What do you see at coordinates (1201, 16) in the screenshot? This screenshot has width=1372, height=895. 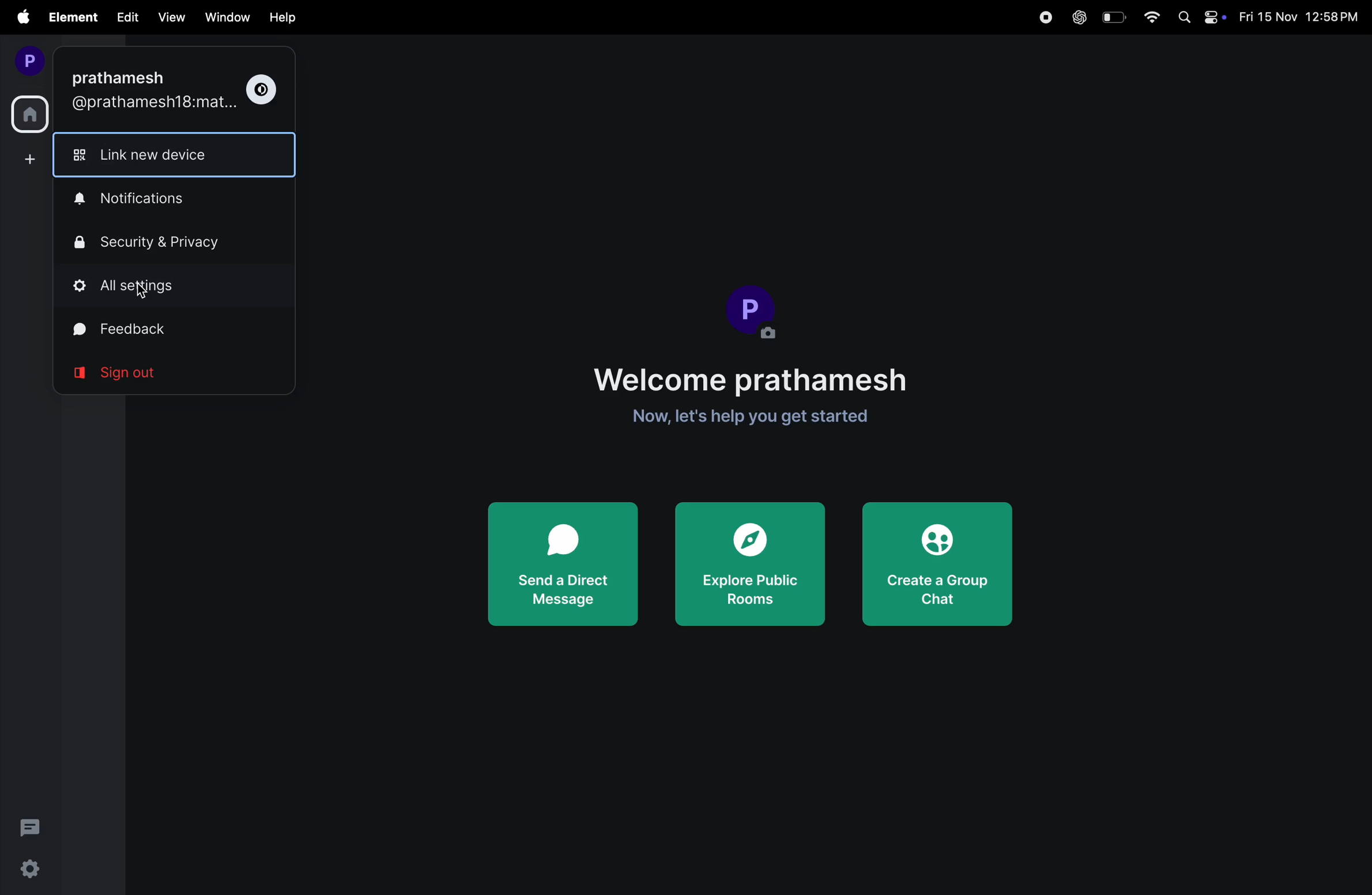 I see `apple widgets` at bounding box center [1201, 16].